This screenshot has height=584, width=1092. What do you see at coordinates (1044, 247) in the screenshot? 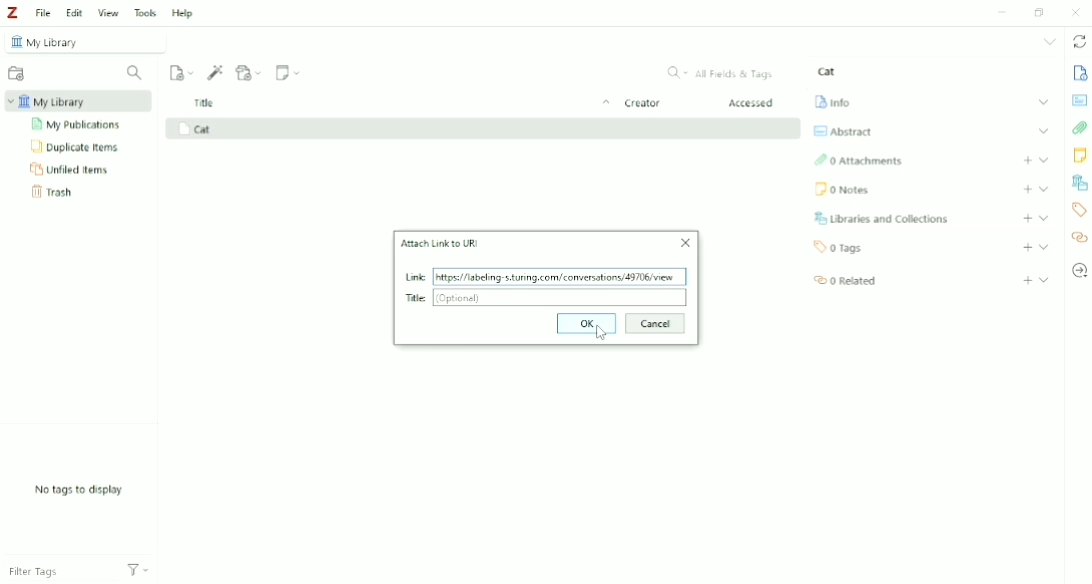
I see `Expand section` at bounding box center [1044, 247].